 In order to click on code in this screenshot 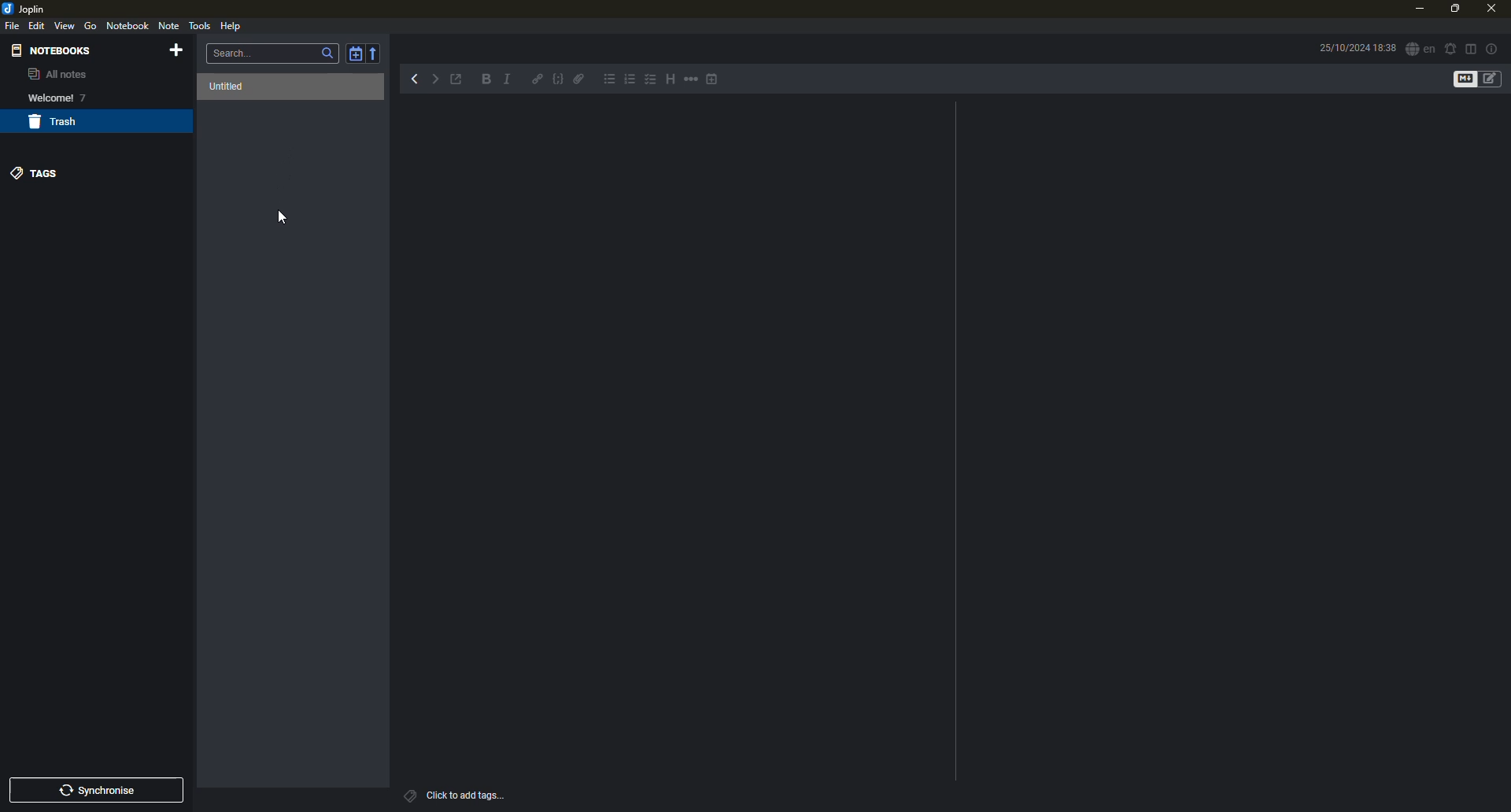, I will do `click(556, 81)`.